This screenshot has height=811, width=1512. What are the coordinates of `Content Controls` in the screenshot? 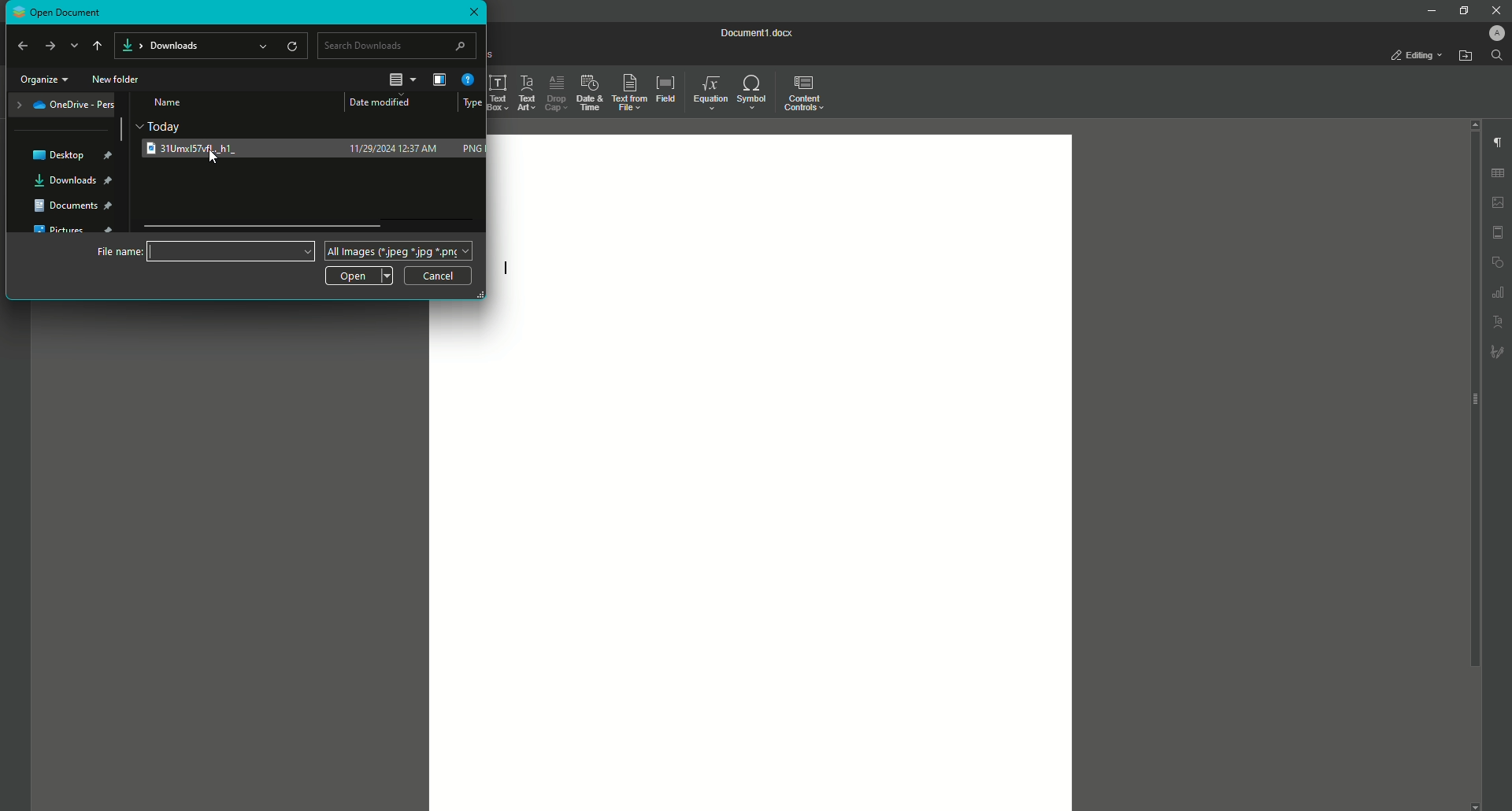 It's located at (805, 92).